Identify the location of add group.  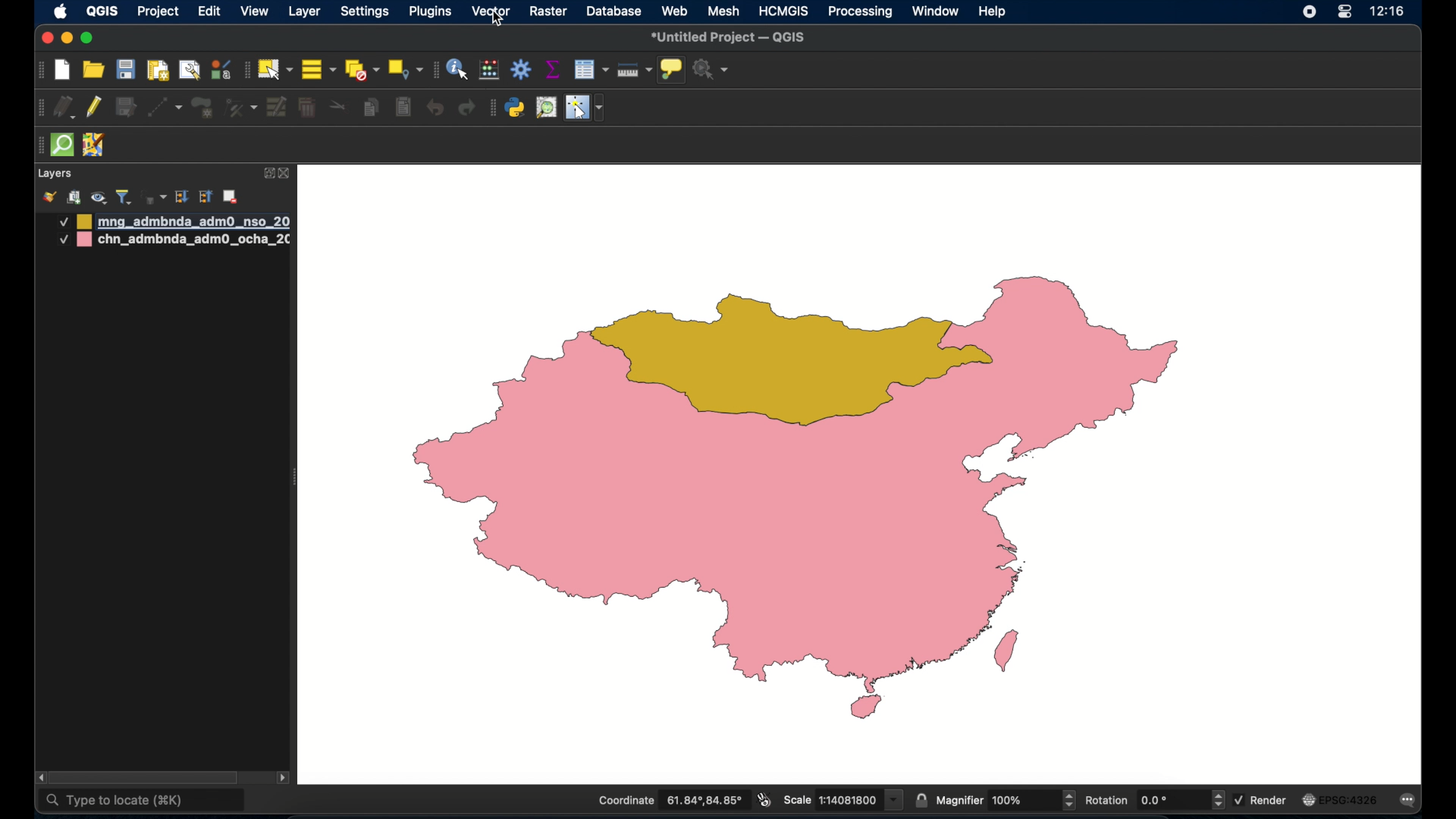
(74, 197).